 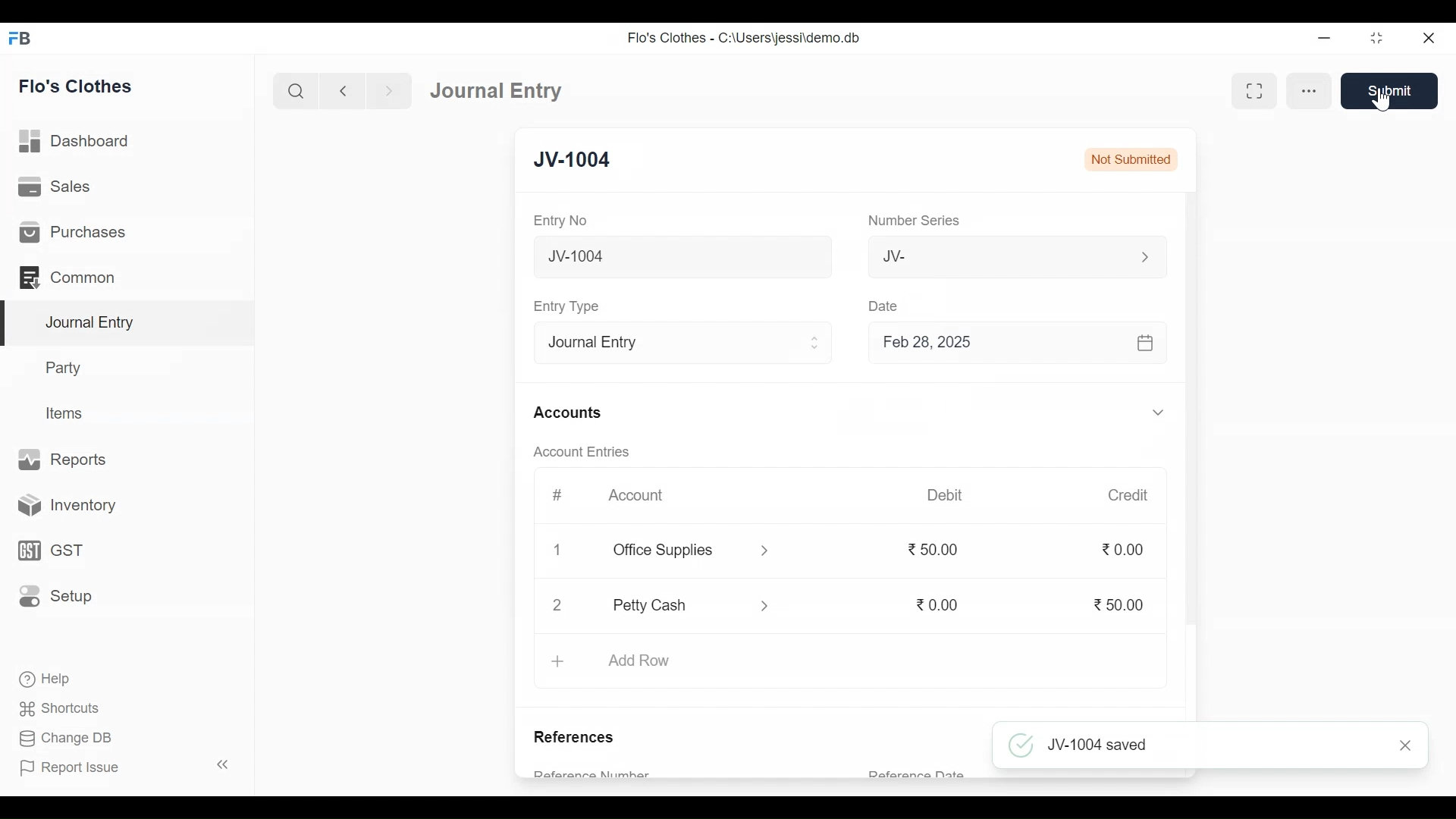 I want to click on Accounts, so click(x=567, y=413).